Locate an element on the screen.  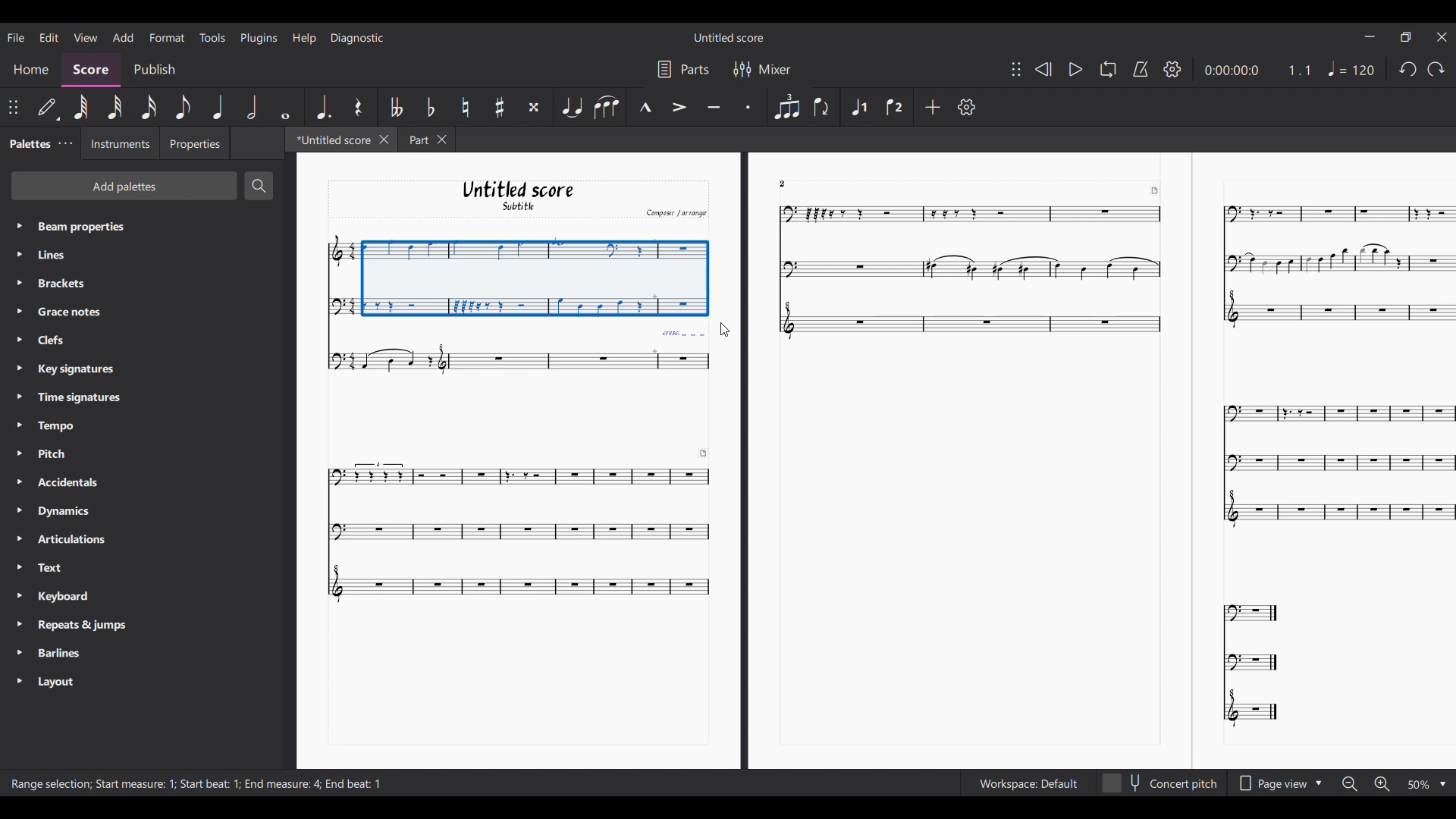
 is located at coordinates (18, 312).